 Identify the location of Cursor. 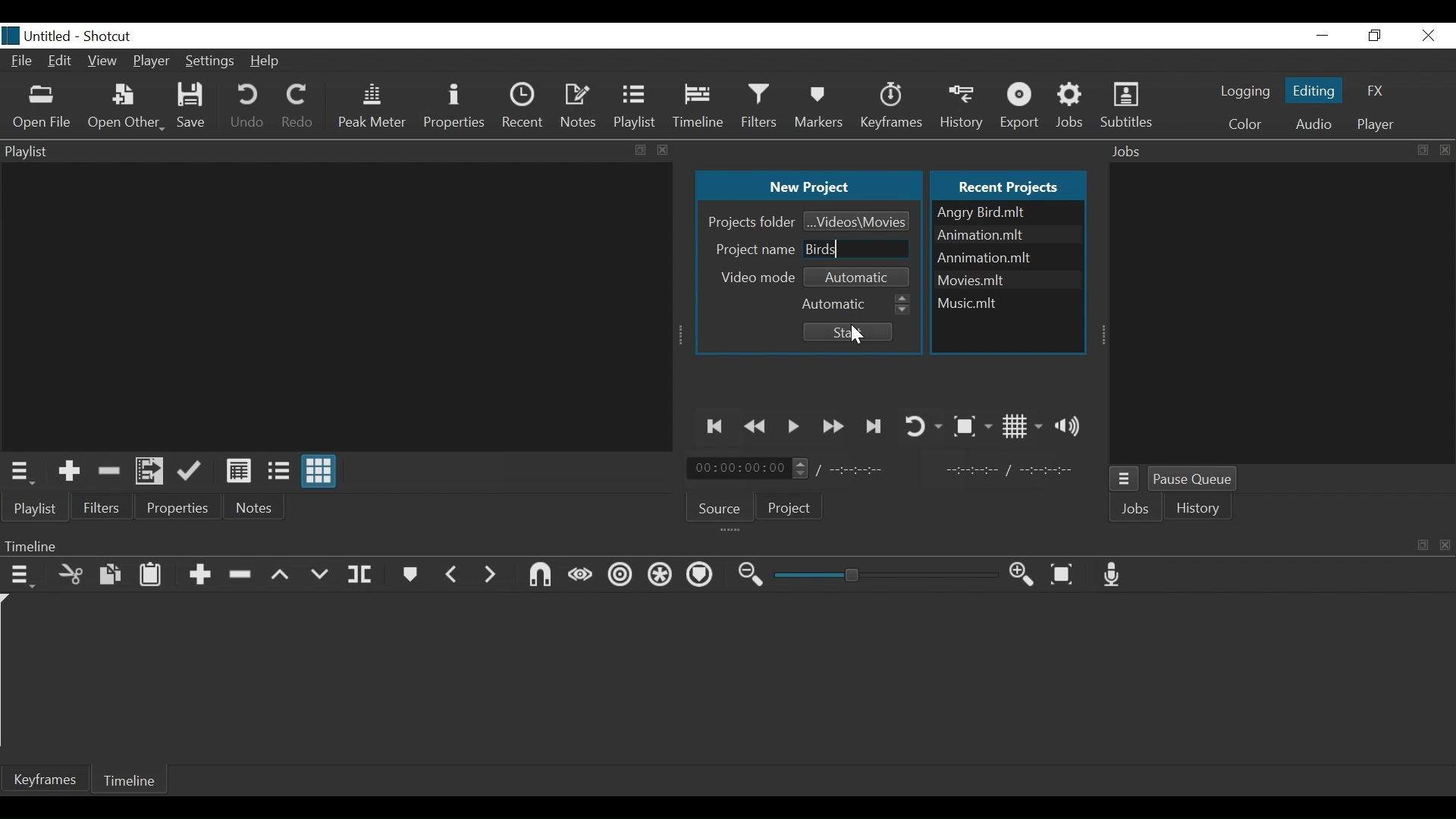
(861, 337).